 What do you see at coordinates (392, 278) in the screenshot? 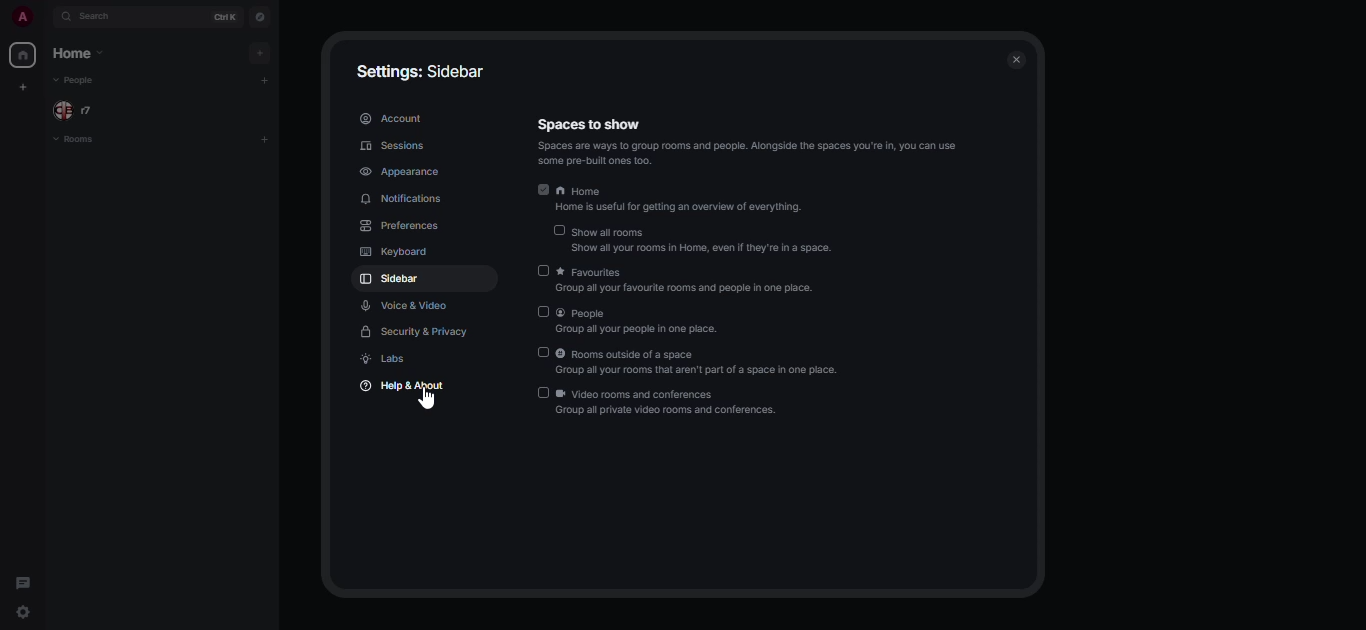
I see `sidebar` at bounding box center [392, 278].